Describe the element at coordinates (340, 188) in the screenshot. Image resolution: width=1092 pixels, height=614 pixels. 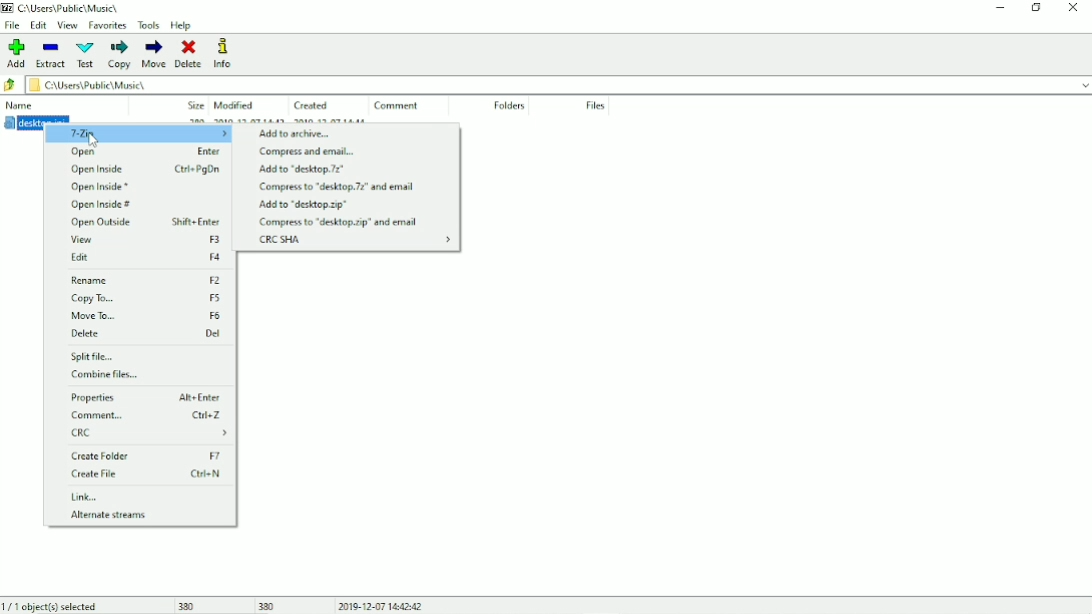
I see `Compress to "desktop.7z" and email` at that location.